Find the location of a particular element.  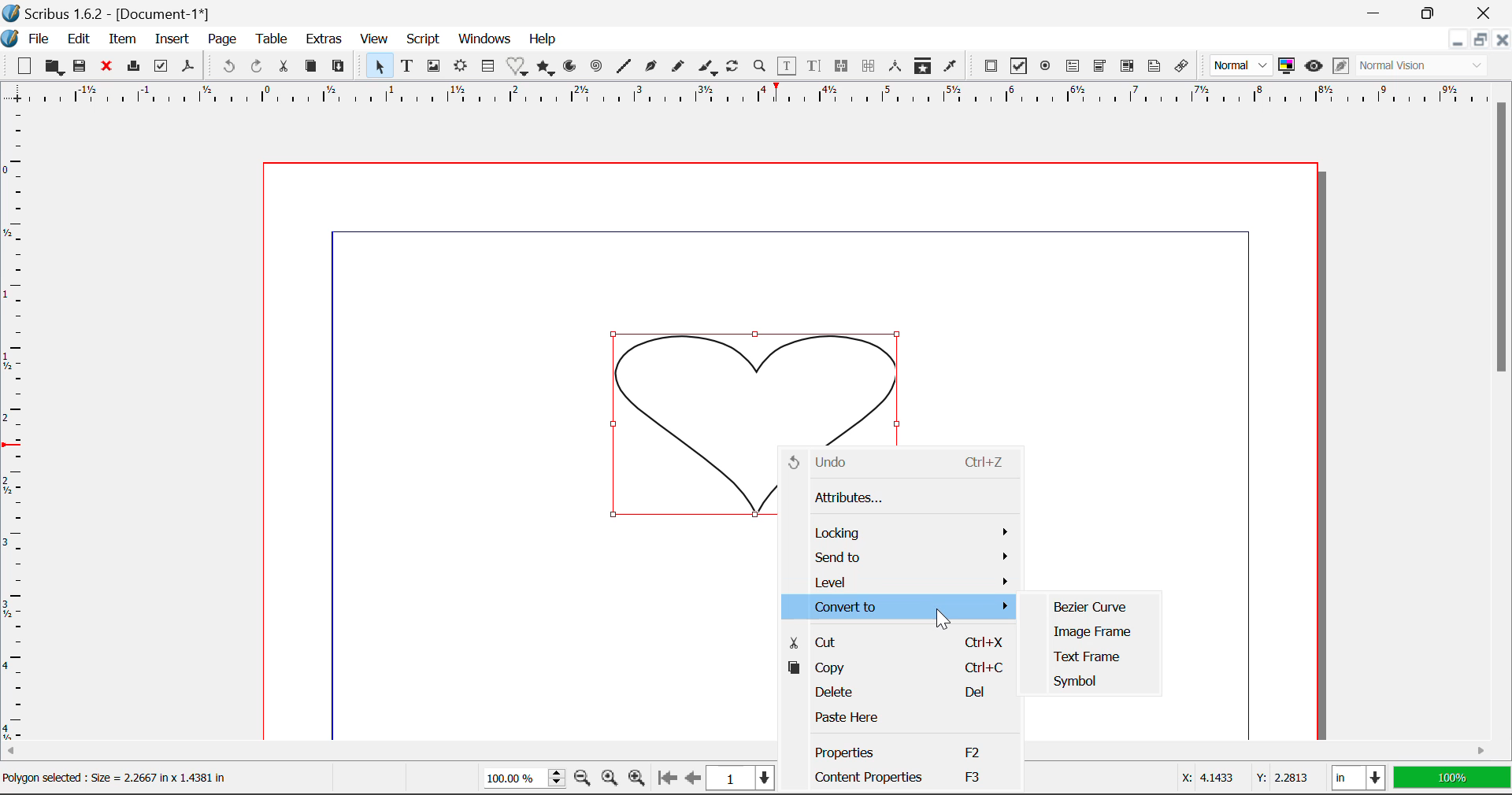

First Page is located at coordinates (667, 778).